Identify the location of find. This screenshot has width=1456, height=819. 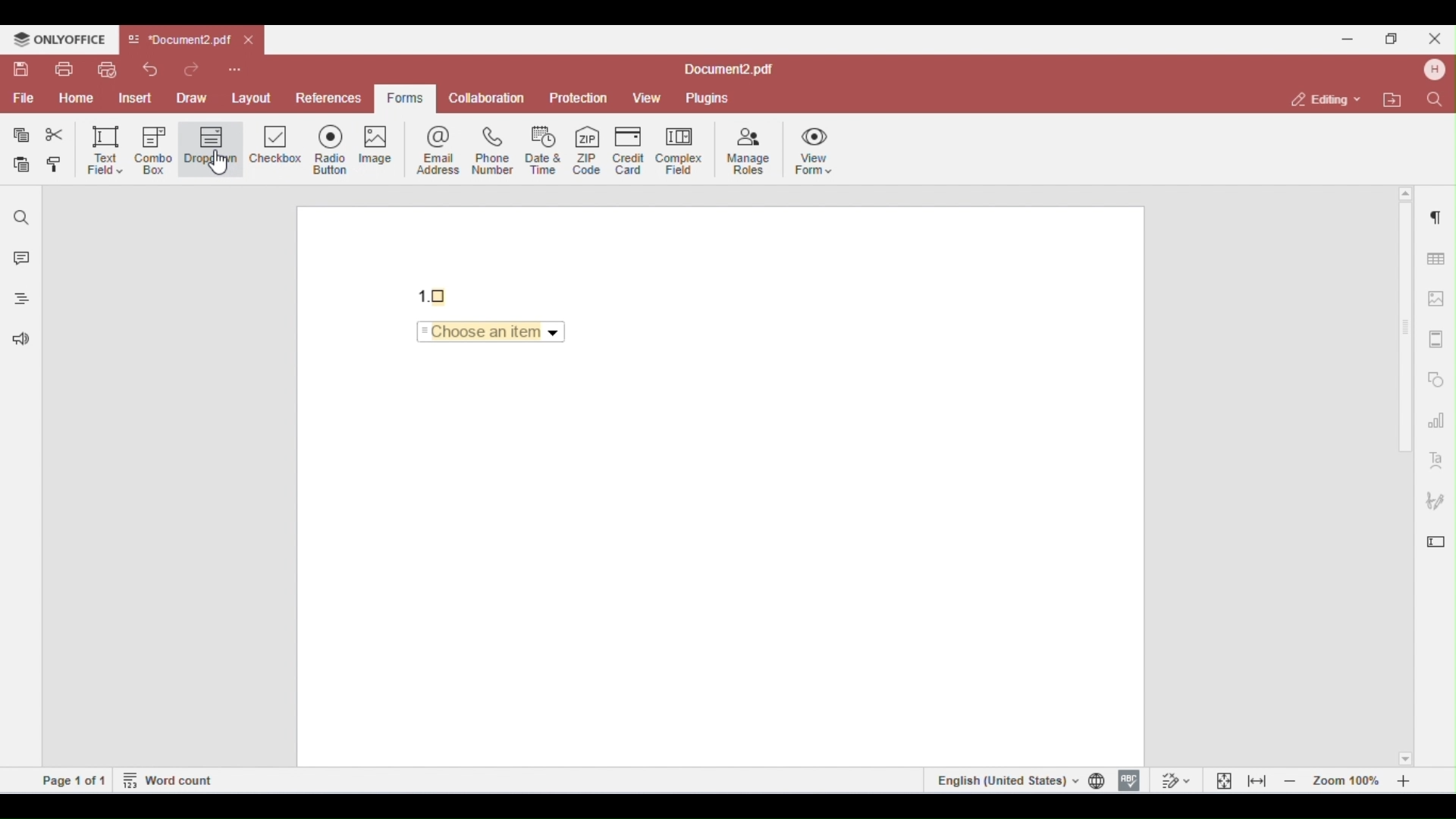
(1433, 99).